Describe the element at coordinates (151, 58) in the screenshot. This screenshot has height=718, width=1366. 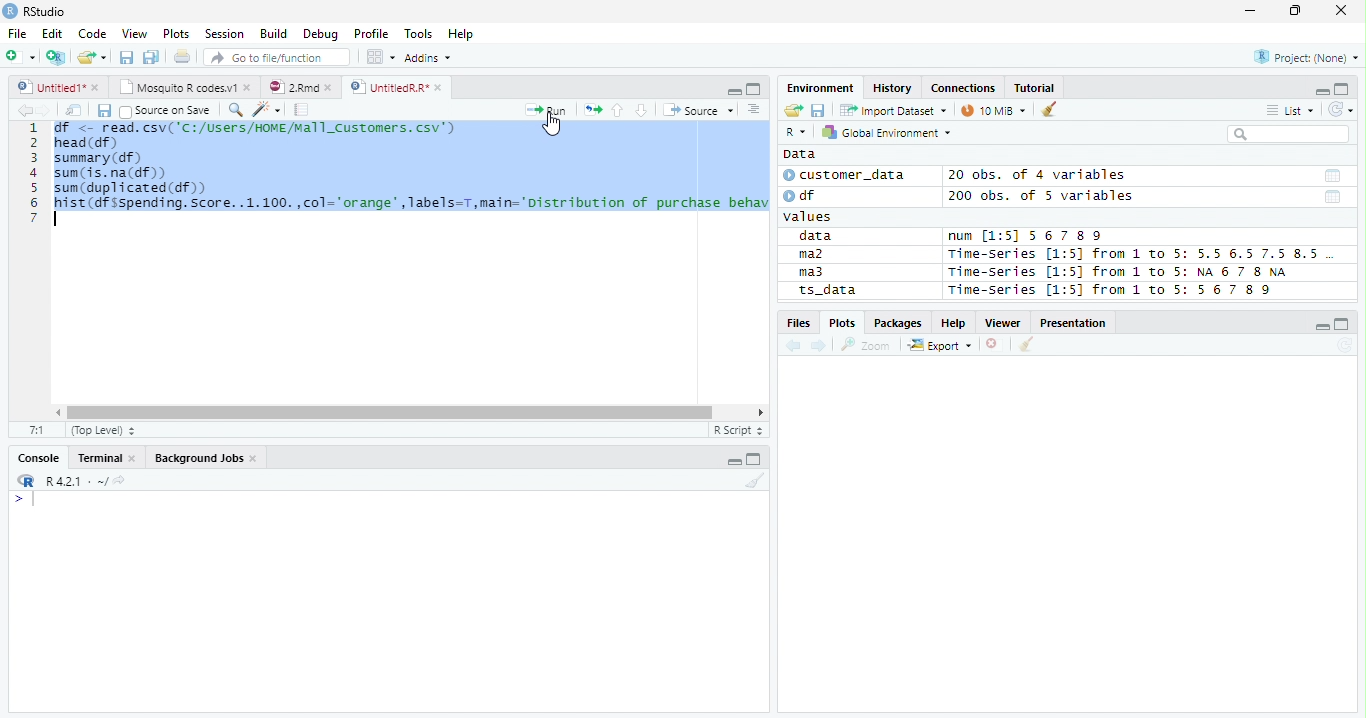
I see `Save all open documents` at that location.